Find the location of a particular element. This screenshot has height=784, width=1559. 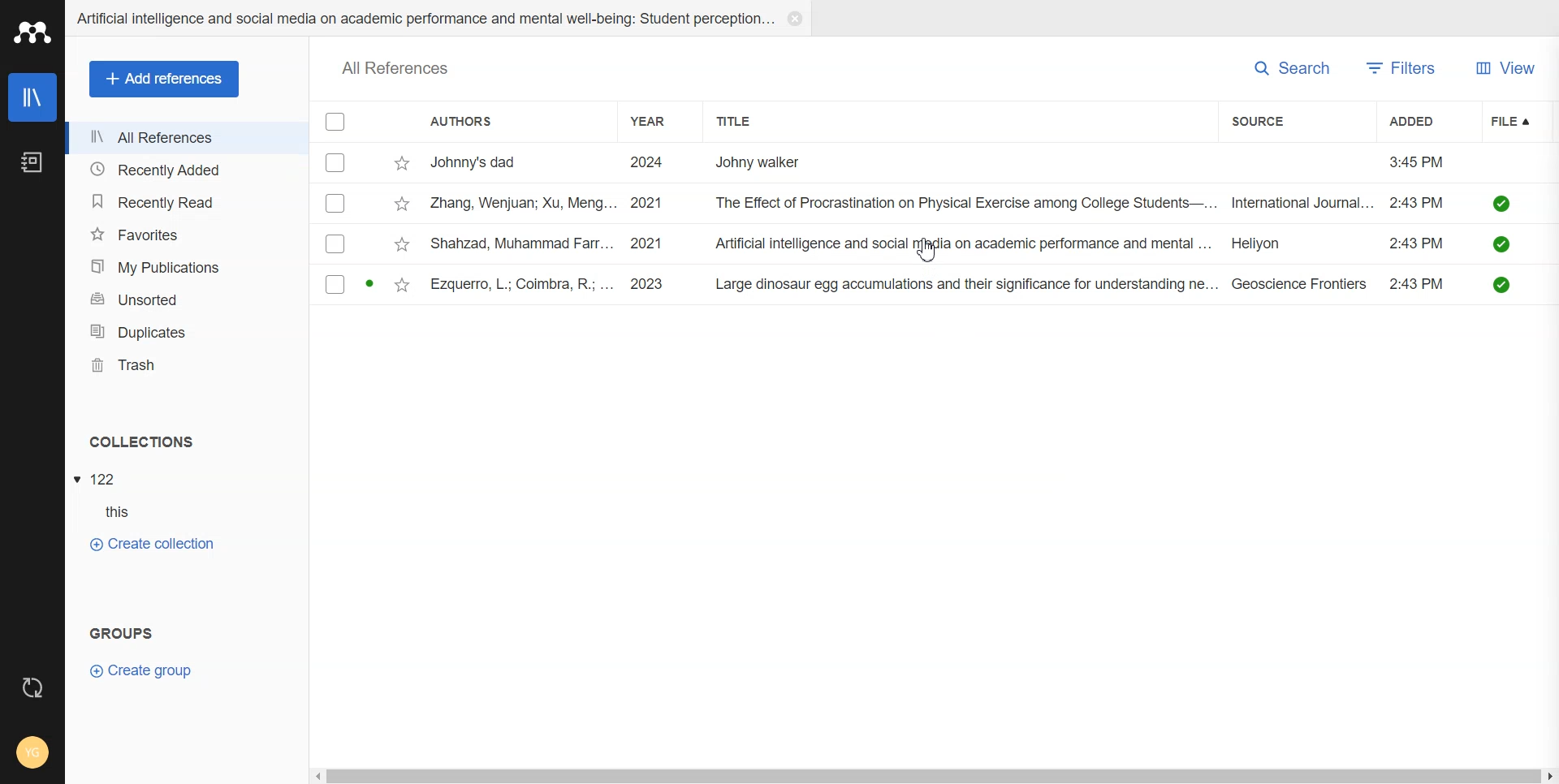

downloded is located at coordinates (1500, 245).